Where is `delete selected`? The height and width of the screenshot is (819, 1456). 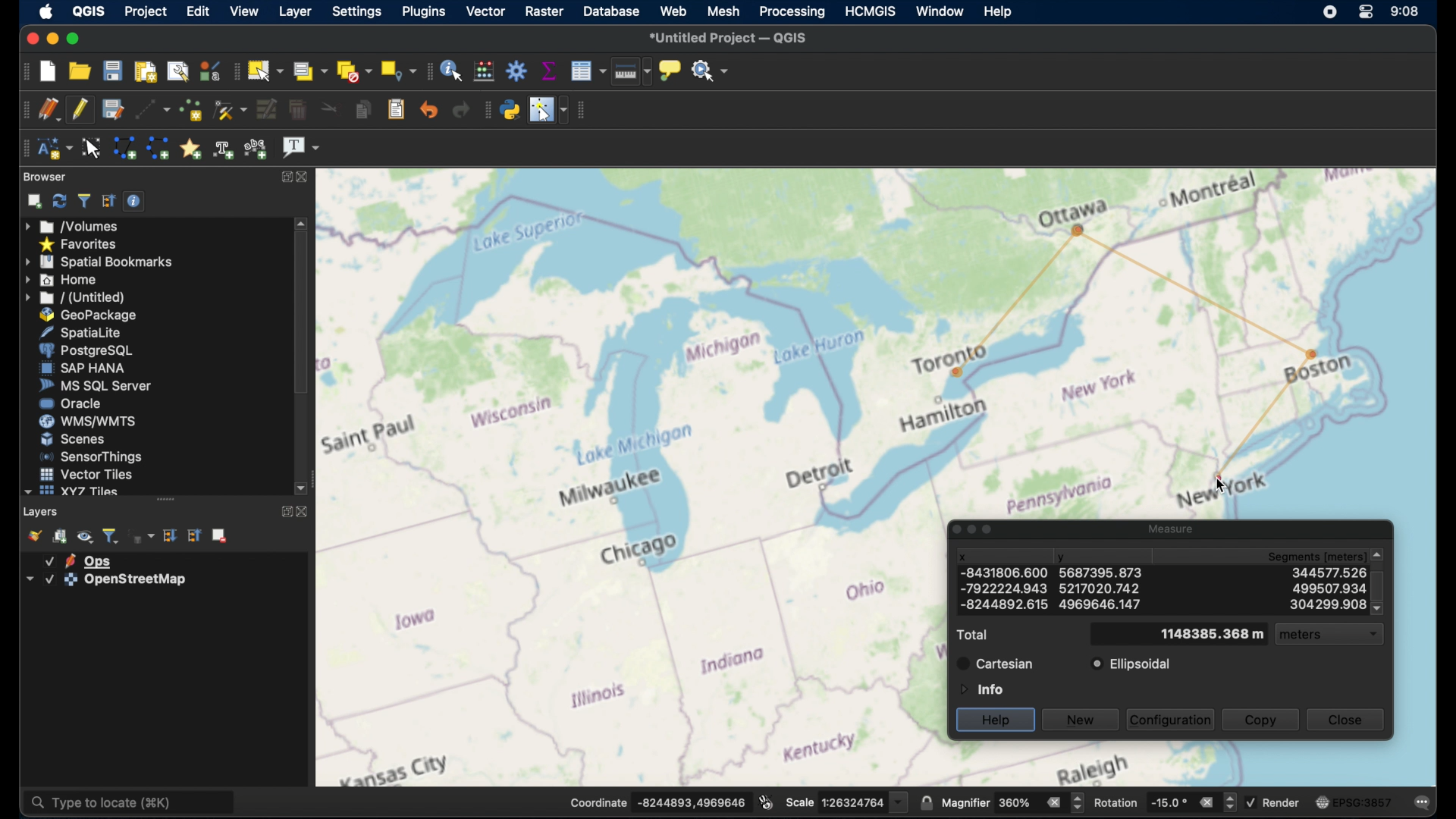 delete selected is located at coordinates (297, 110).